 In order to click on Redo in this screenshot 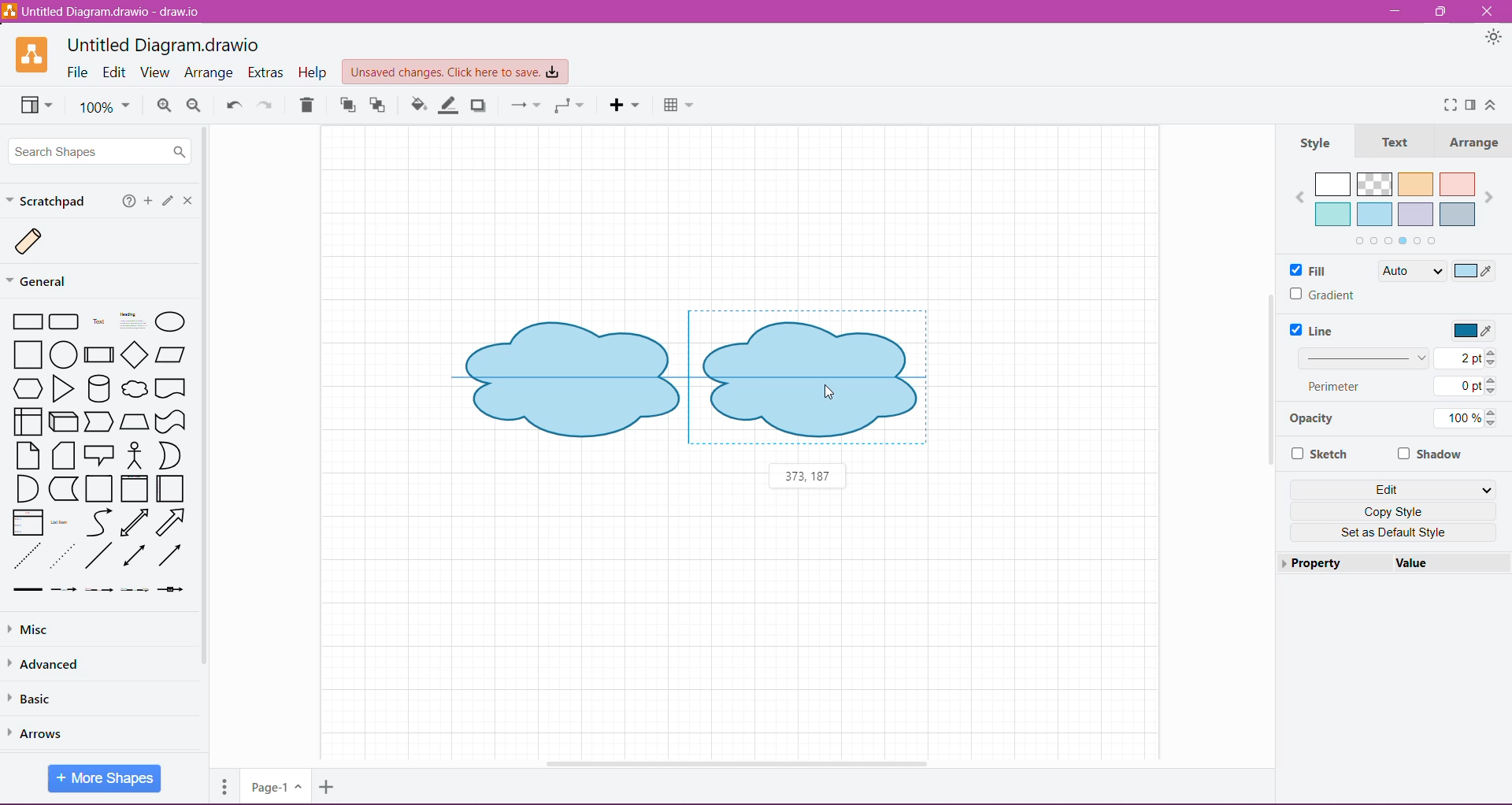, I will do `click(269, 106)`.